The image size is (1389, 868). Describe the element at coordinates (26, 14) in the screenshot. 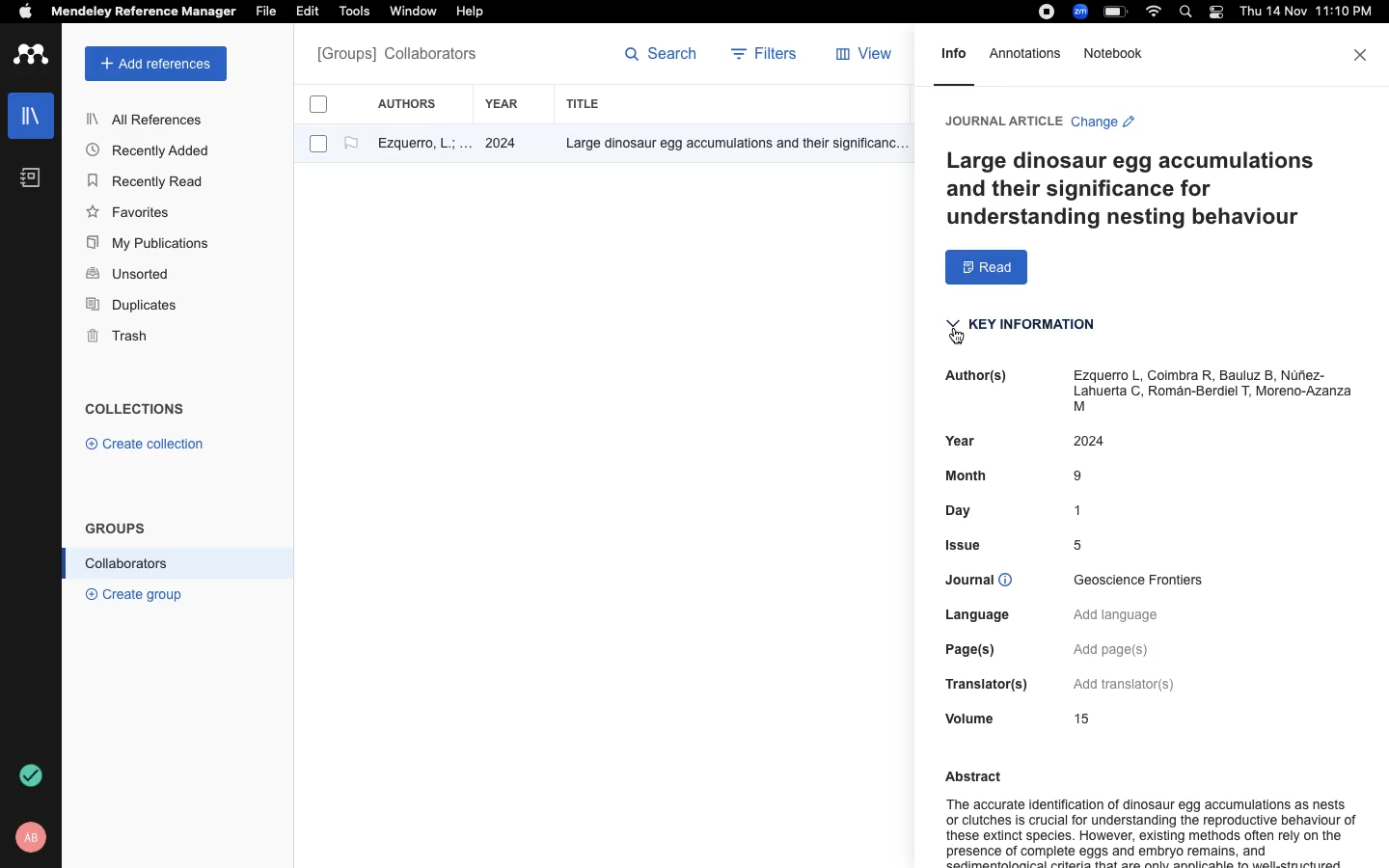

I see `apple logo` at that location.